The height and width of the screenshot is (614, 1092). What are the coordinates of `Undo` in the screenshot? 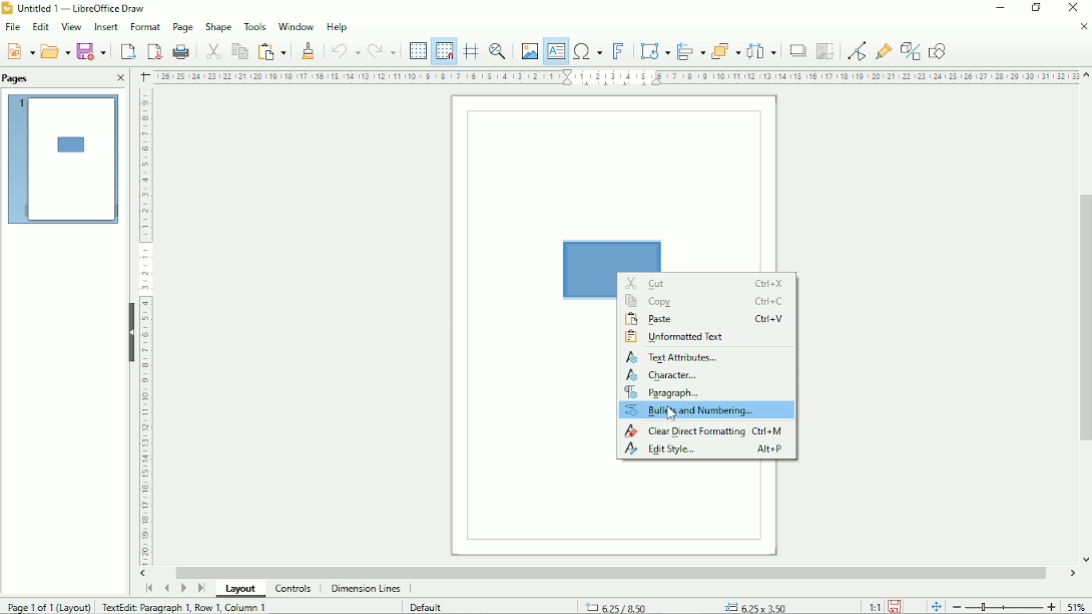 It's located at (344, 49).